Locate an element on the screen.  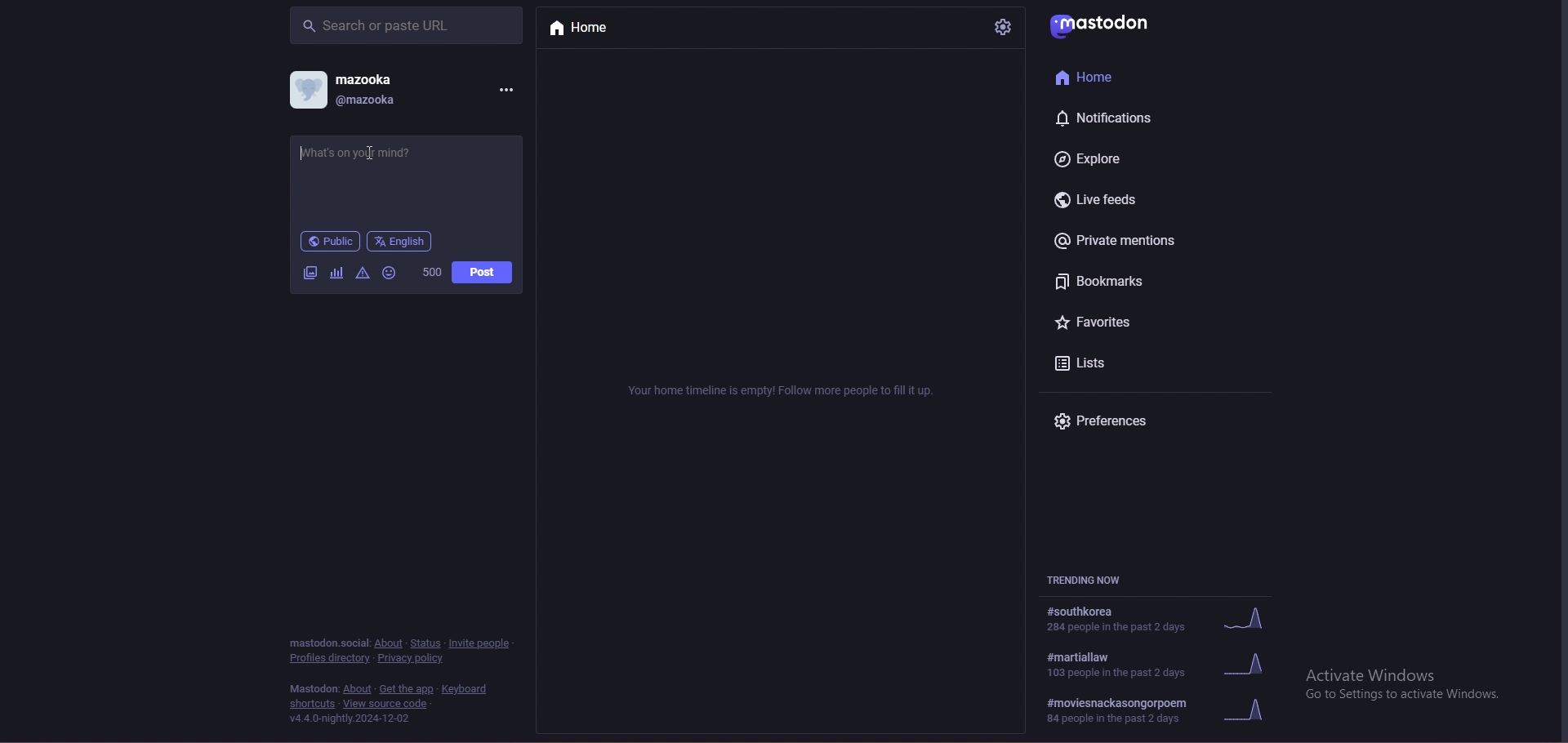
favourites is located at coordinates (1134, 321).